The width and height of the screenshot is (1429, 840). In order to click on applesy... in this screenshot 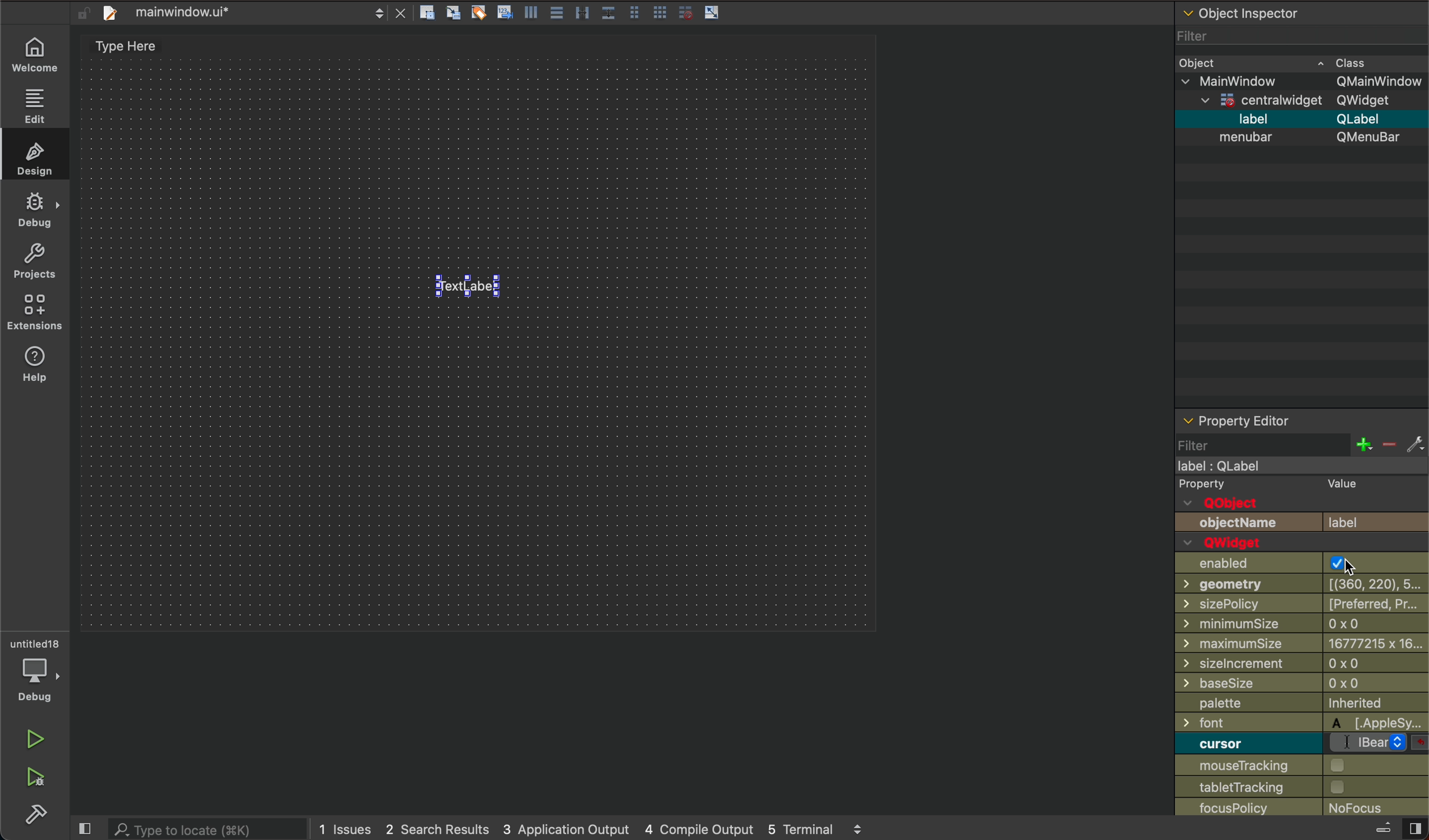, I will do `click(1379, 725)`.